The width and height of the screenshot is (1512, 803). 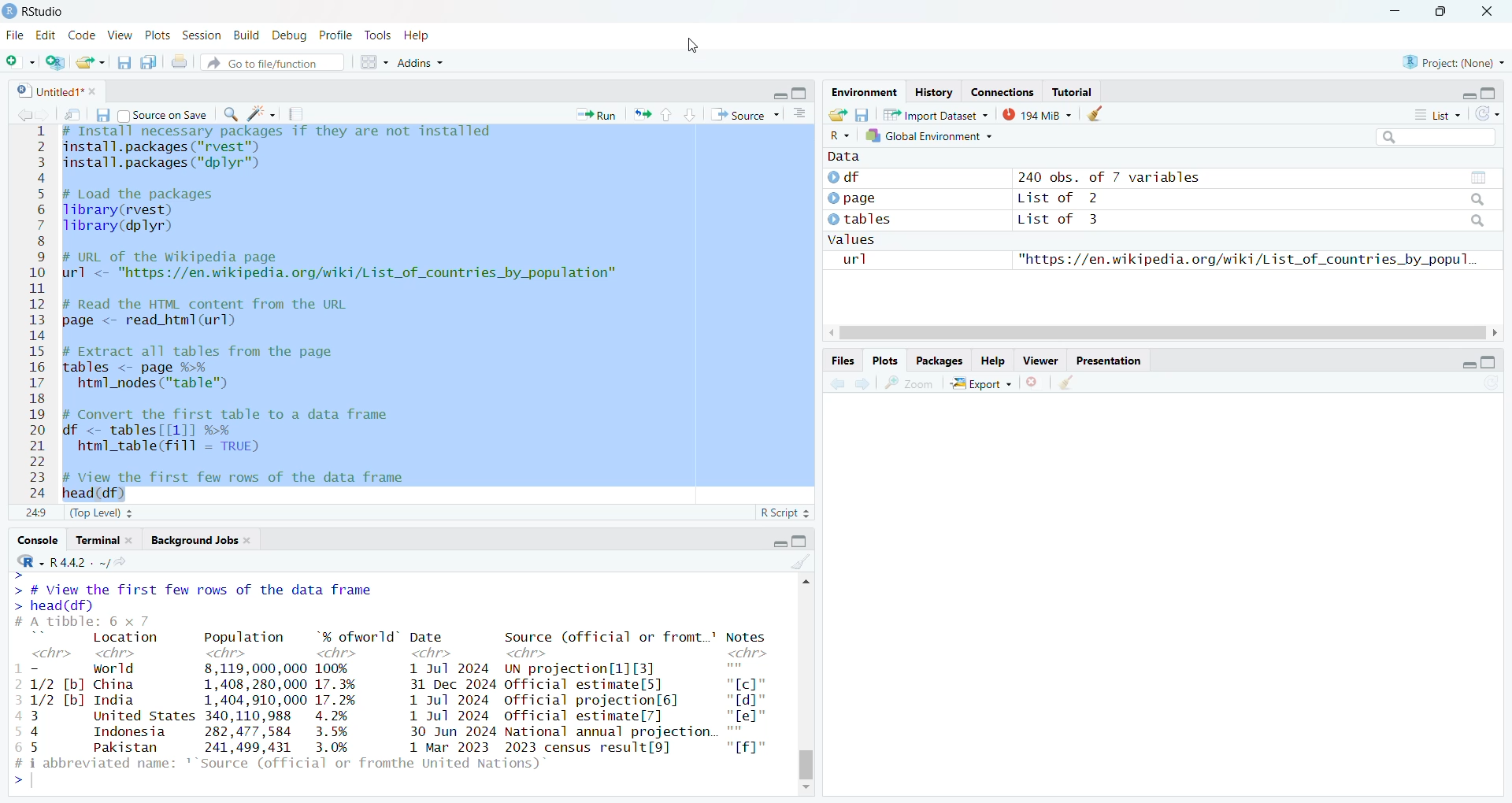 What do you see at coordinates (158, 35) in the screenshot?
I see `Plots` at bounding box center [158, 35].